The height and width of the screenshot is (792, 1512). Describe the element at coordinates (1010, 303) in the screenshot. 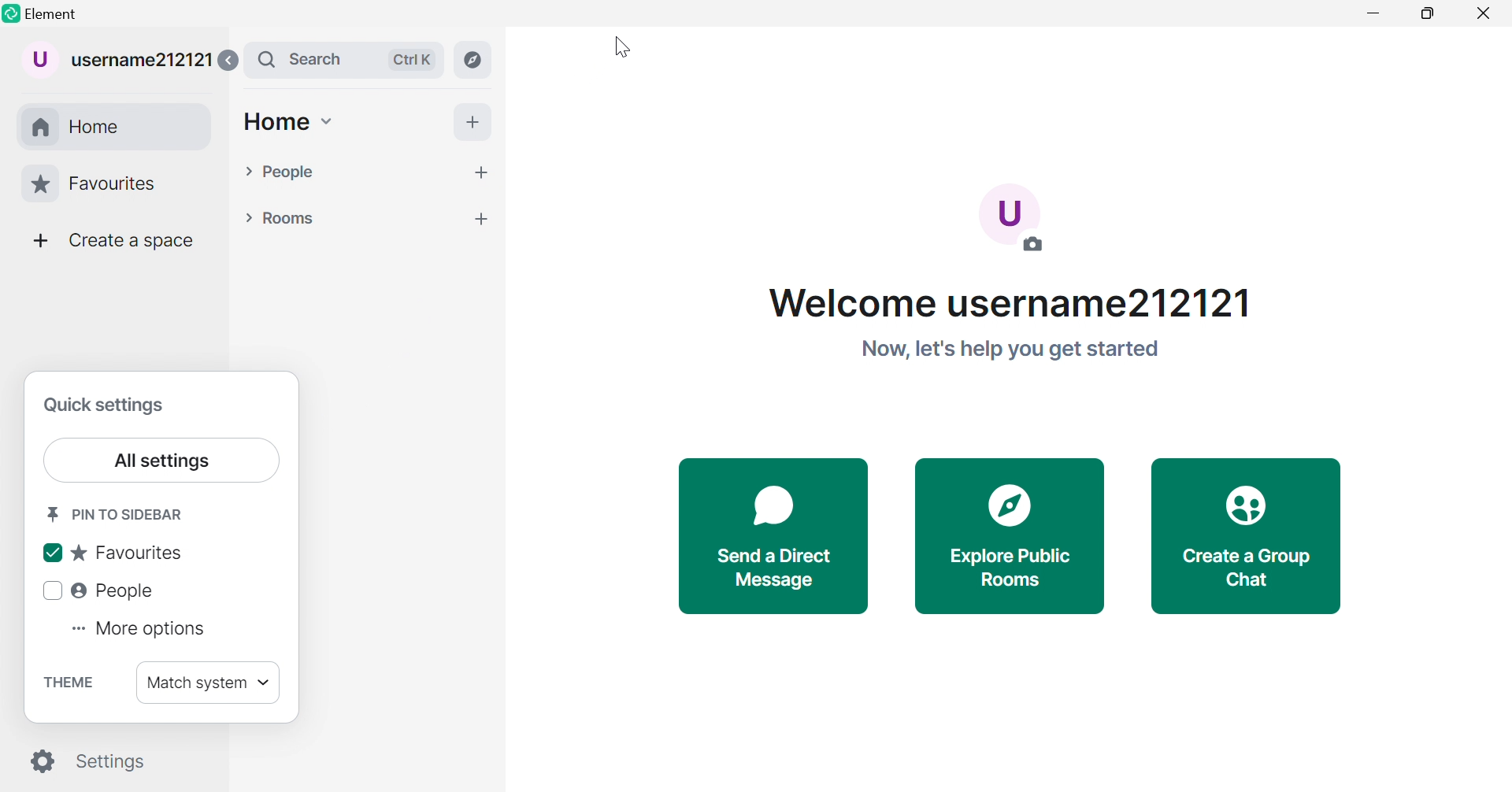

I see `Welcome username212121` at that location.